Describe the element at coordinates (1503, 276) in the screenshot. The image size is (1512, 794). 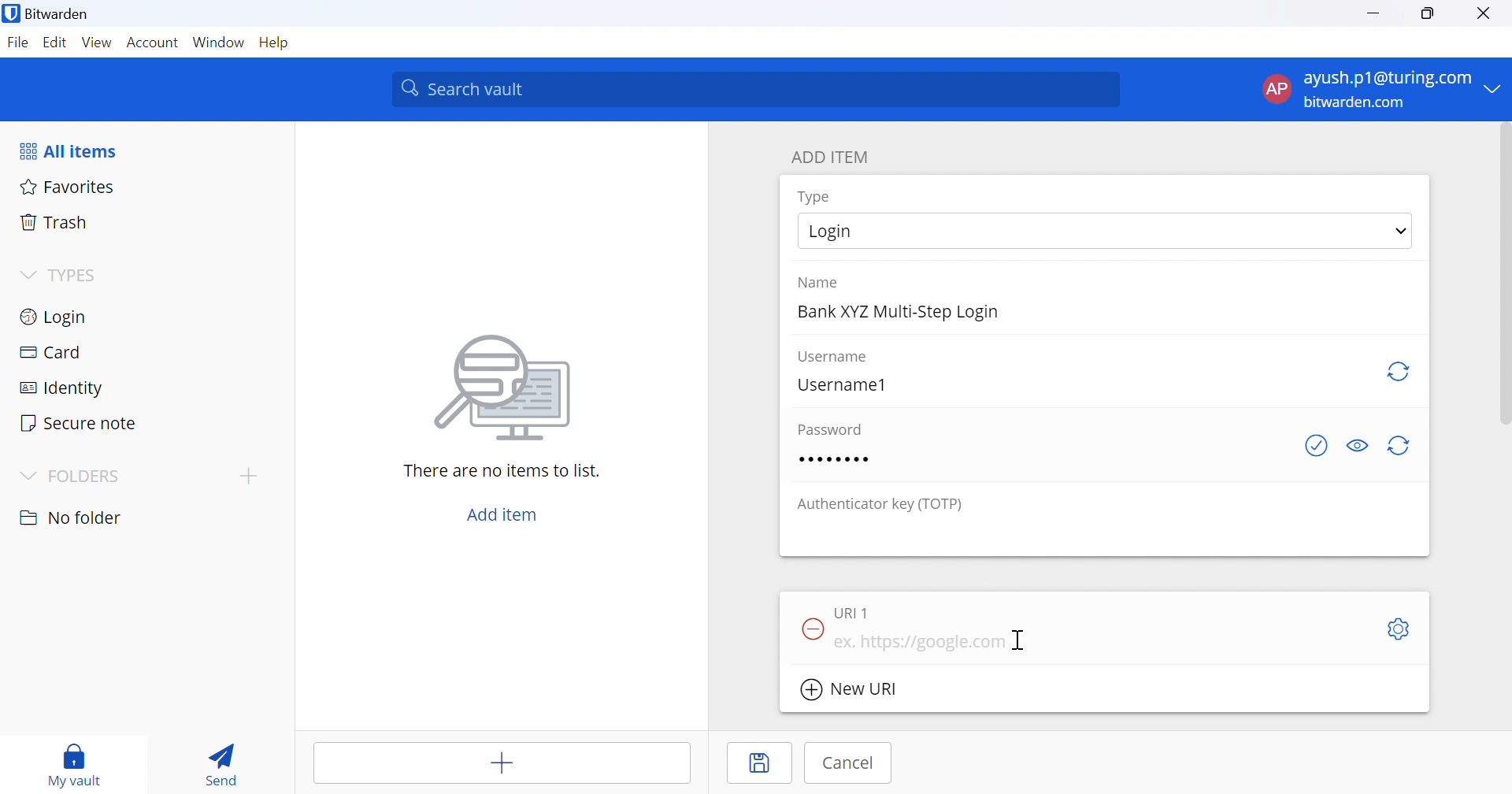
I see `scrollbar` at that location.